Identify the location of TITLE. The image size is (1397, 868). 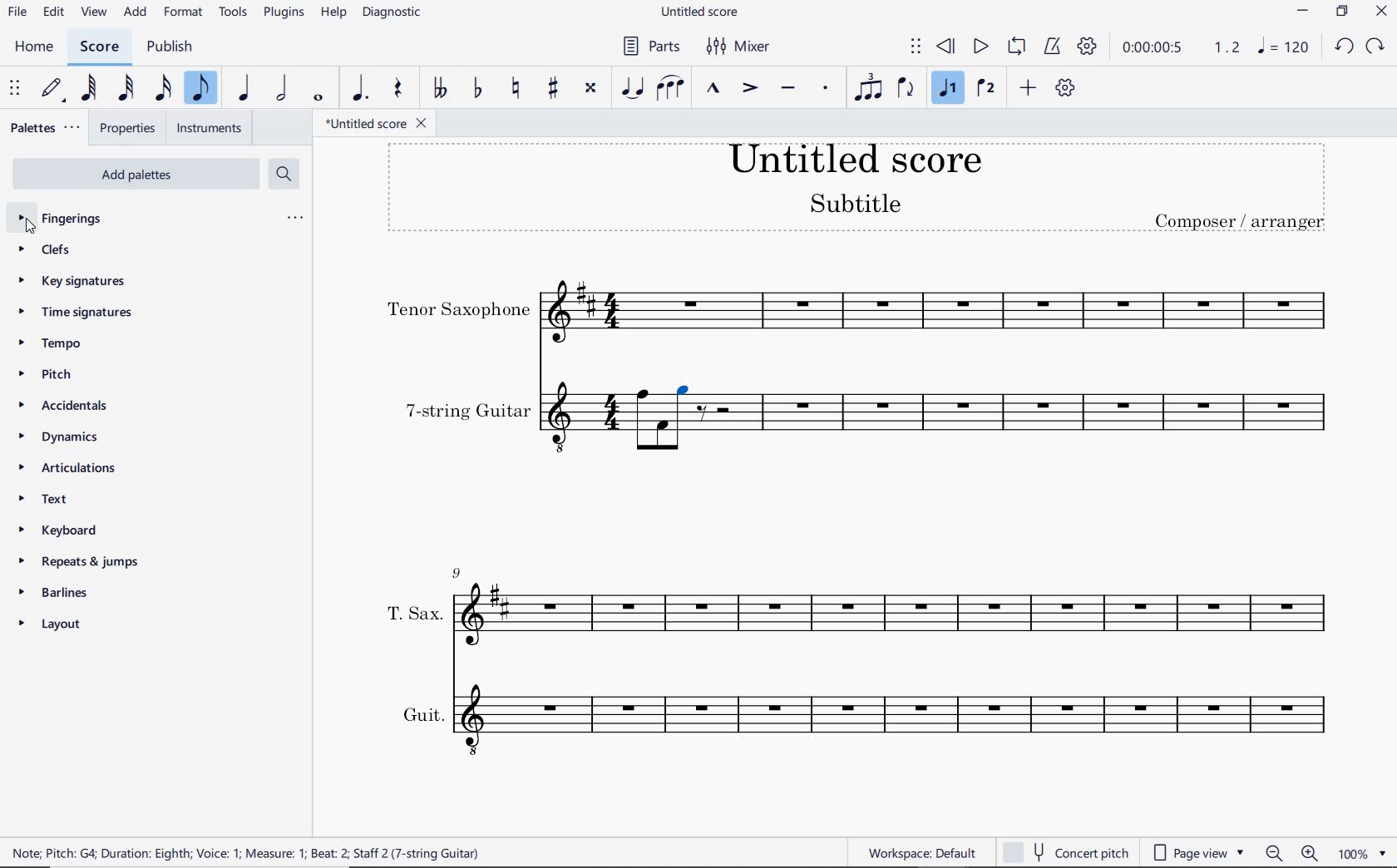
(856, 189).